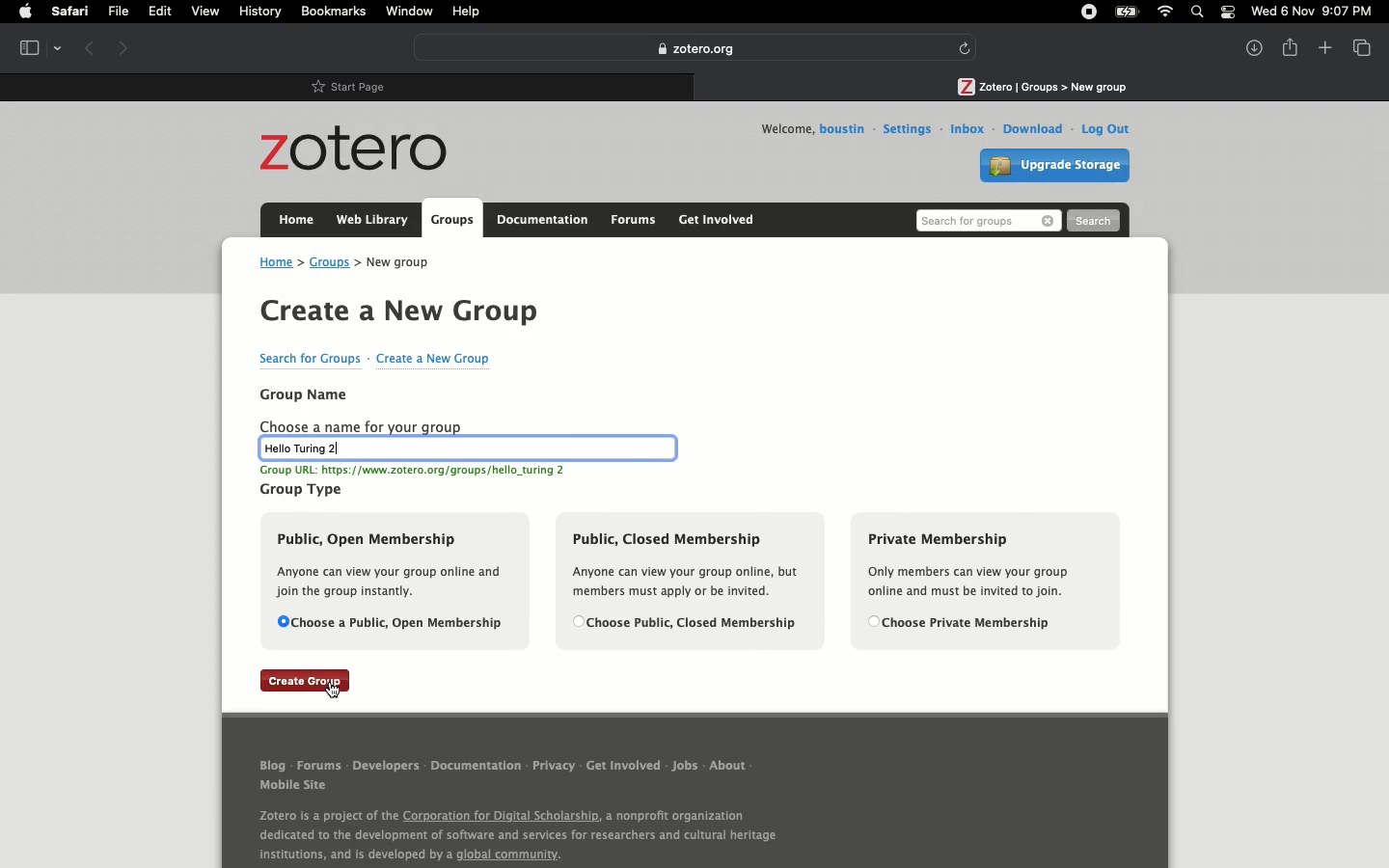 The image size is (1389, 868). I want to click on Forums, so click(633, 218).